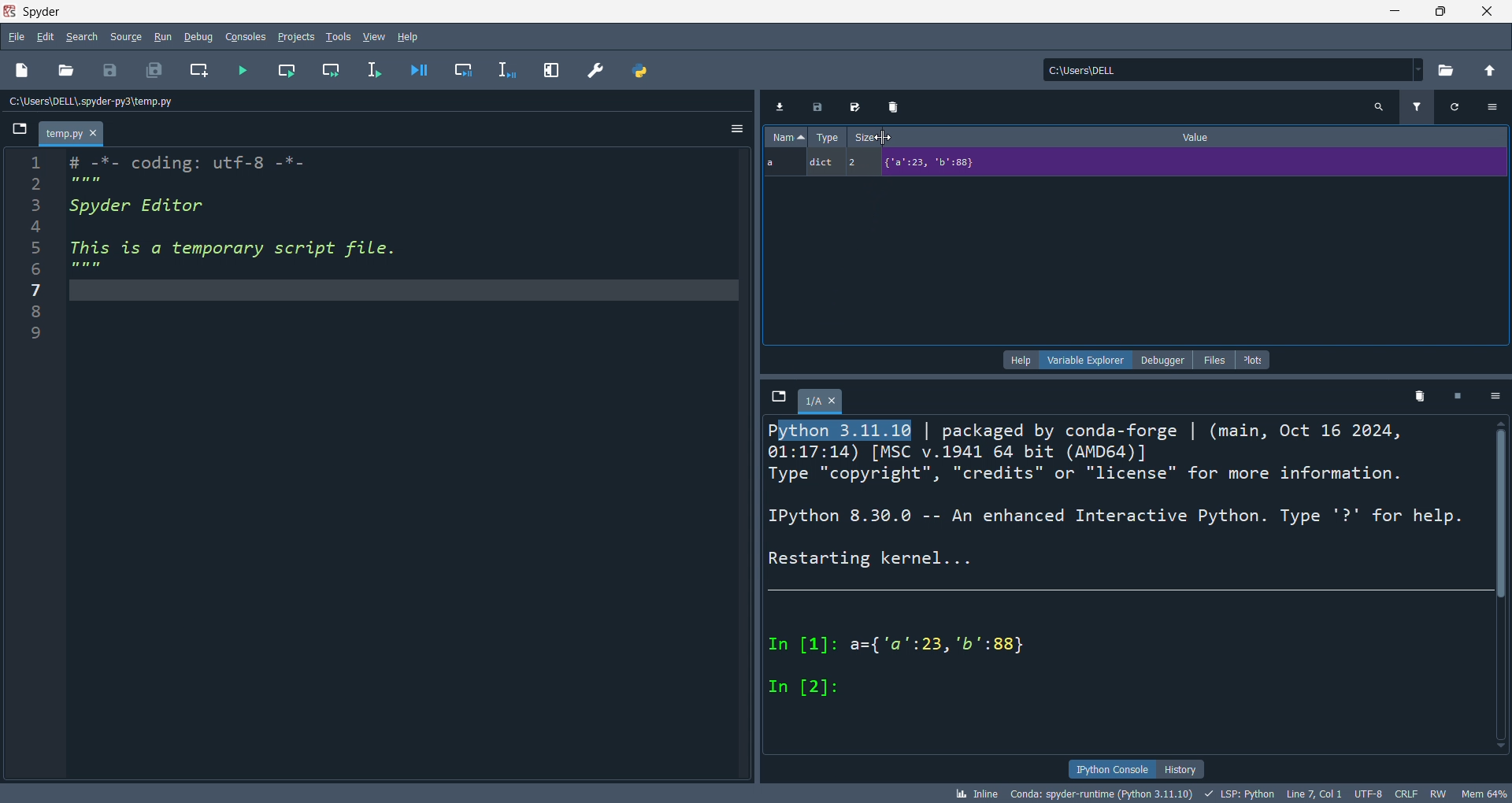 The height and width of the screenshot is (803, 1512). I want to click on # -*- coding: utf-8 -*-
Spyder Editor
This is a temporary script file., so click(261, 219).